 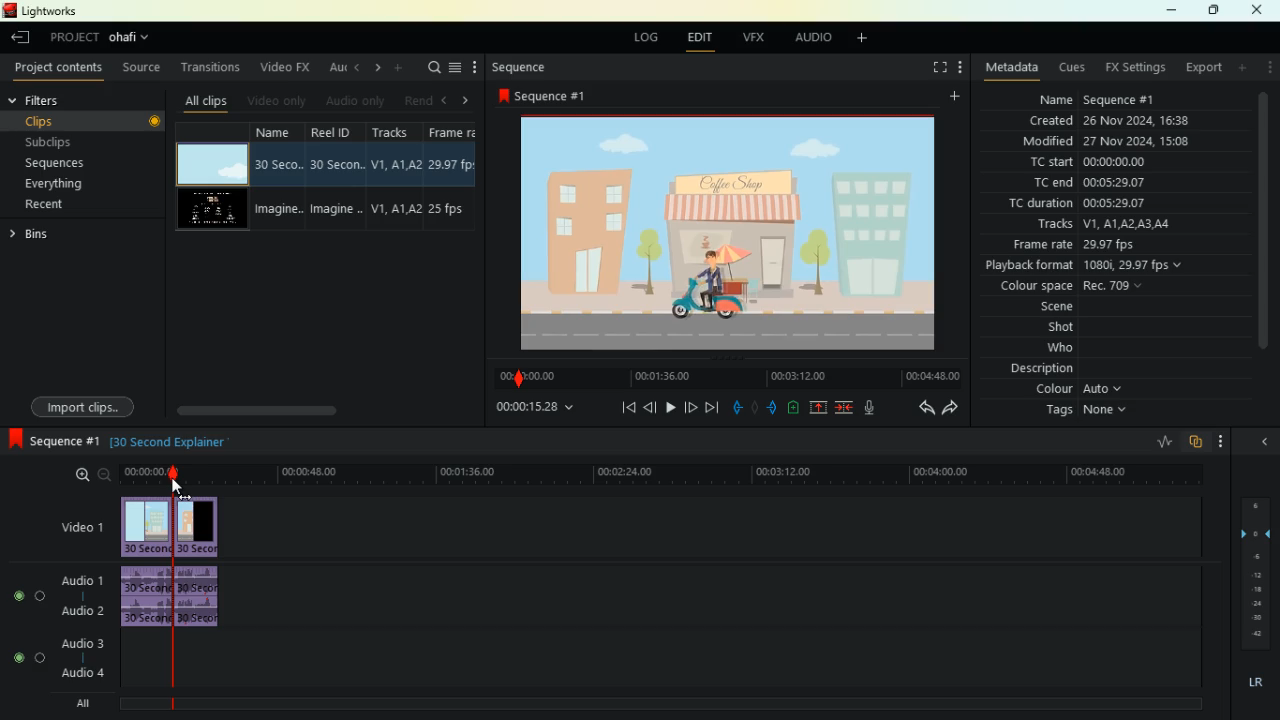 I want to click on colour space, so click(x=1030, y=286).